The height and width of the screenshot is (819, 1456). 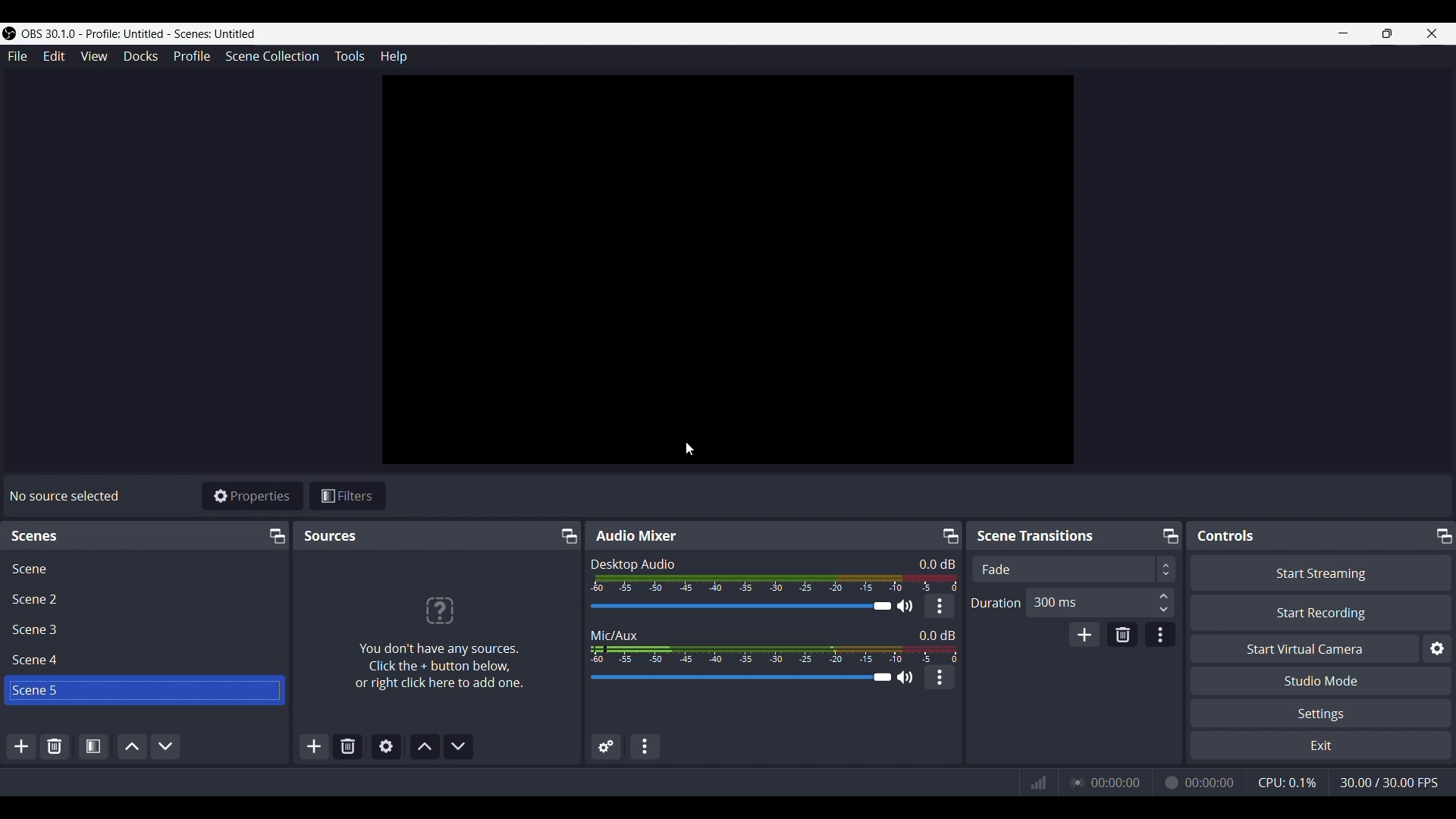 I want to click on Scene, so click(x=145, y=567).